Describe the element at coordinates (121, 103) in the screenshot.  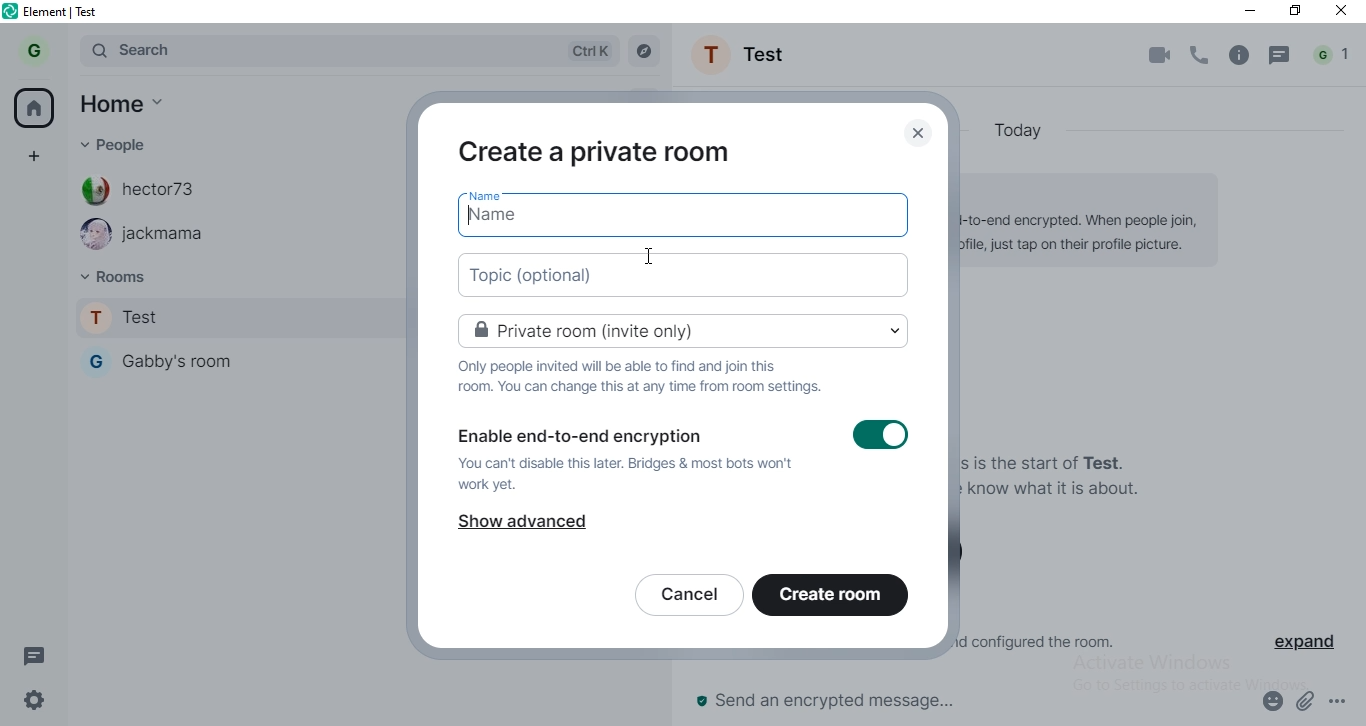
I see `home` at that location.